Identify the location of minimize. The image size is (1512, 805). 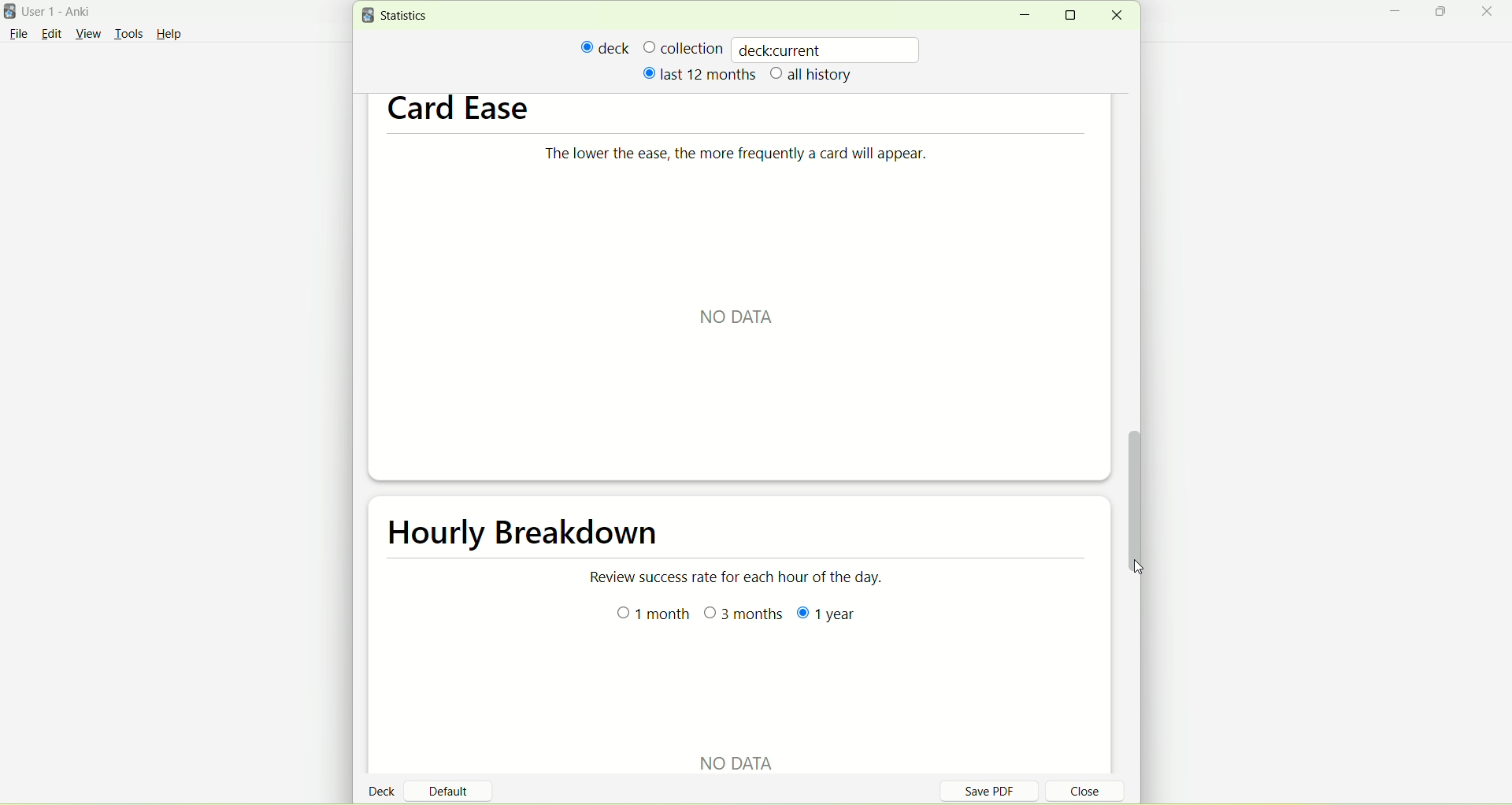
(1024, 16).